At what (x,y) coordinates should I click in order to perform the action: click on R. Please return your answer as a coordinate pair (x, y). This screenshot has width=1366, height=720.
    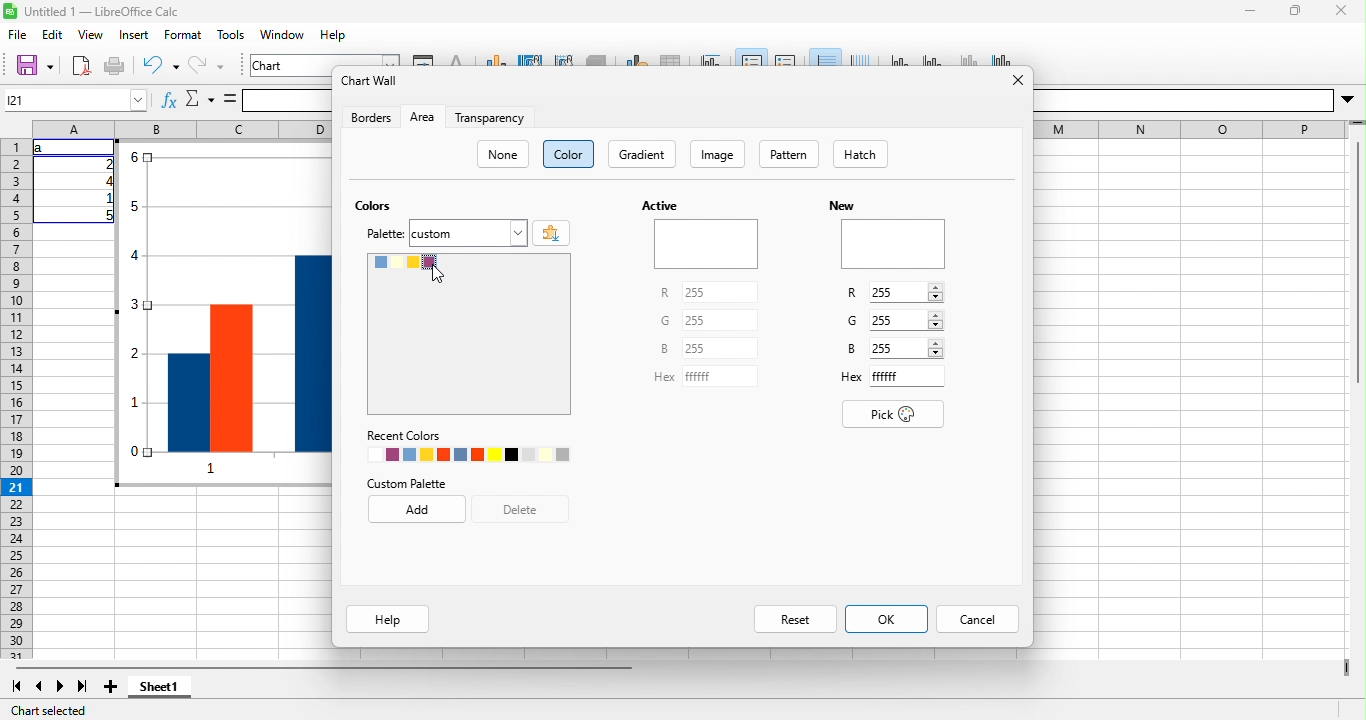
    Looking at the image, I should click on (852, 293).